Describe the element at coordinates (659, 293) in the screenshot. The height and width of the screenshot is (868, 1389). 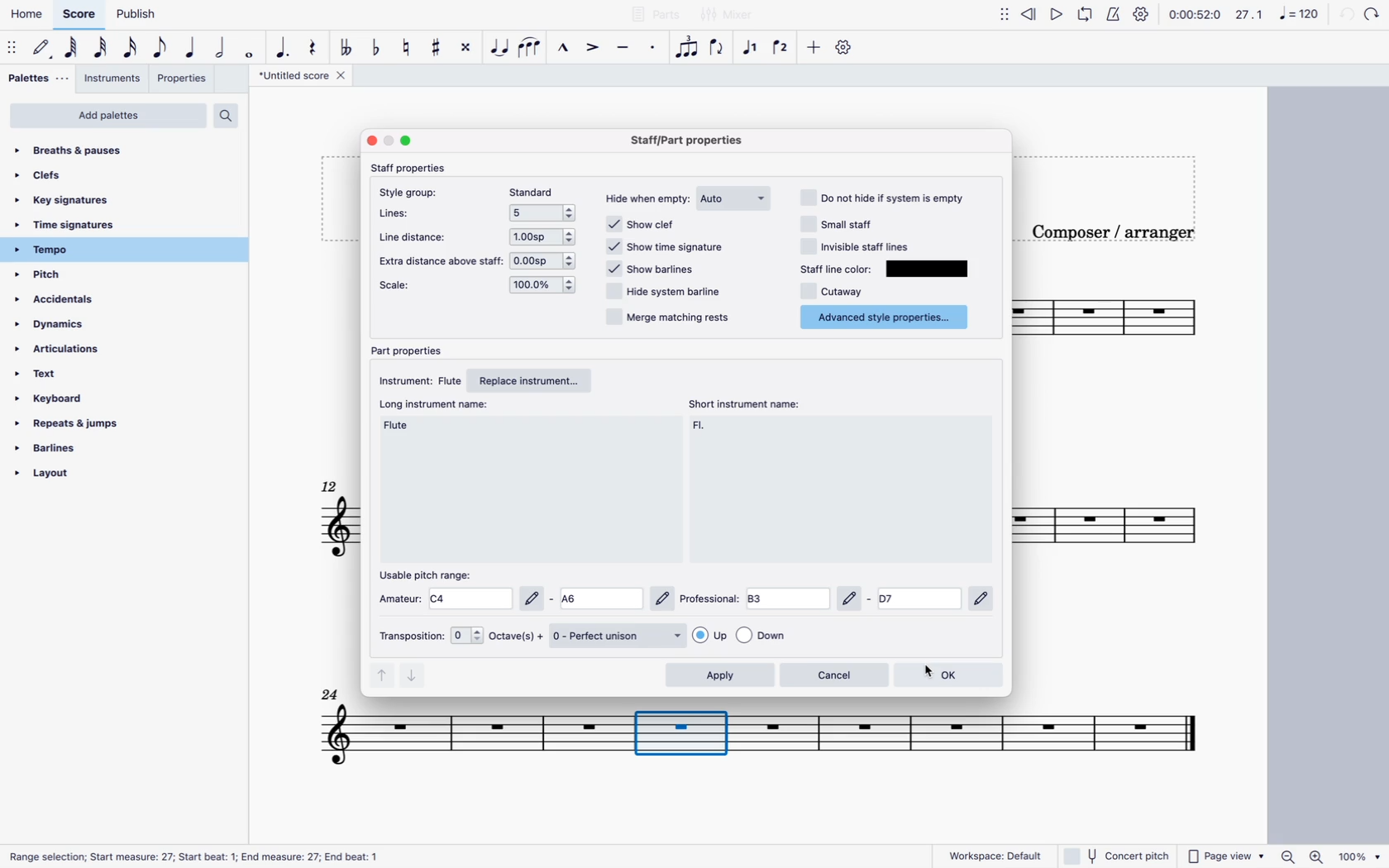
I see `hide system barline` at that location.